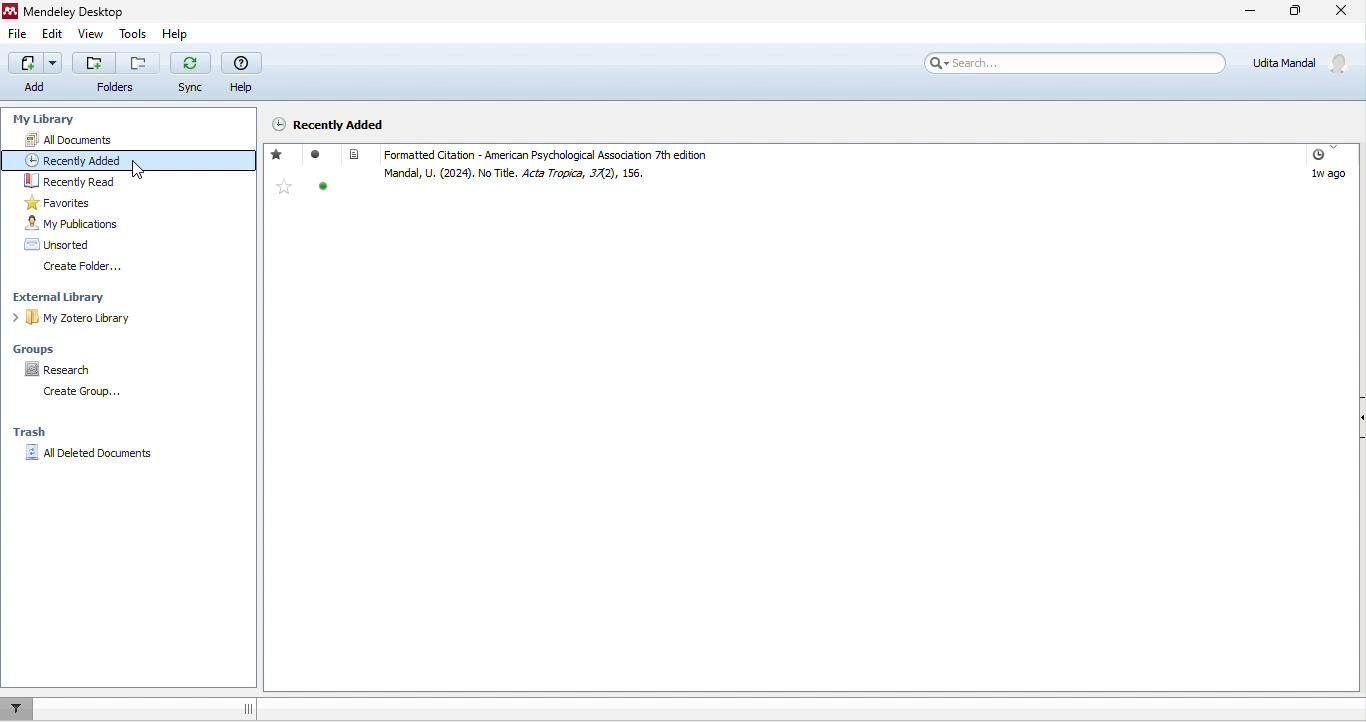 This screenshot has width=1366, height=722. Describe the element at coordinates (70, 223) in the screenshot. I see `my publication` at that location.